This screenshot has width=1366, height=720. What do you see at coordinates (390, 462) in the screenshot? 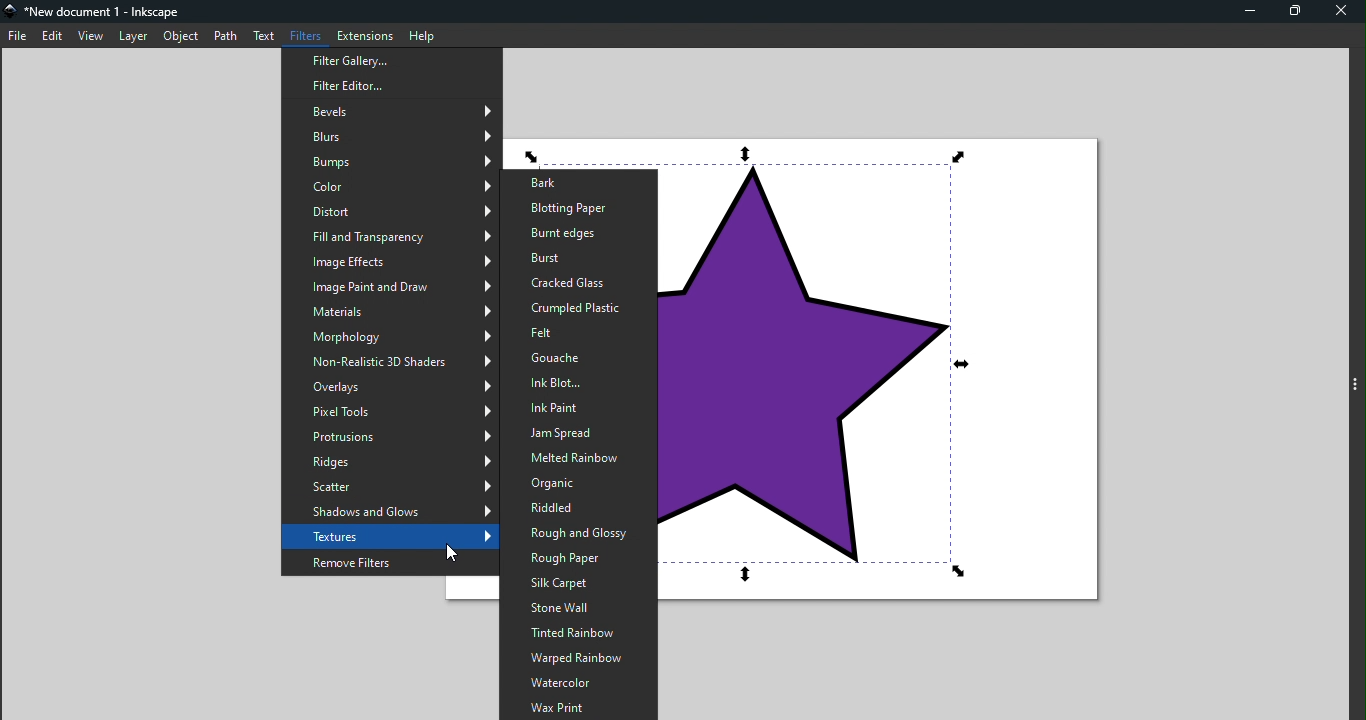
I see `Ridges` at bounding box center [390, 462].